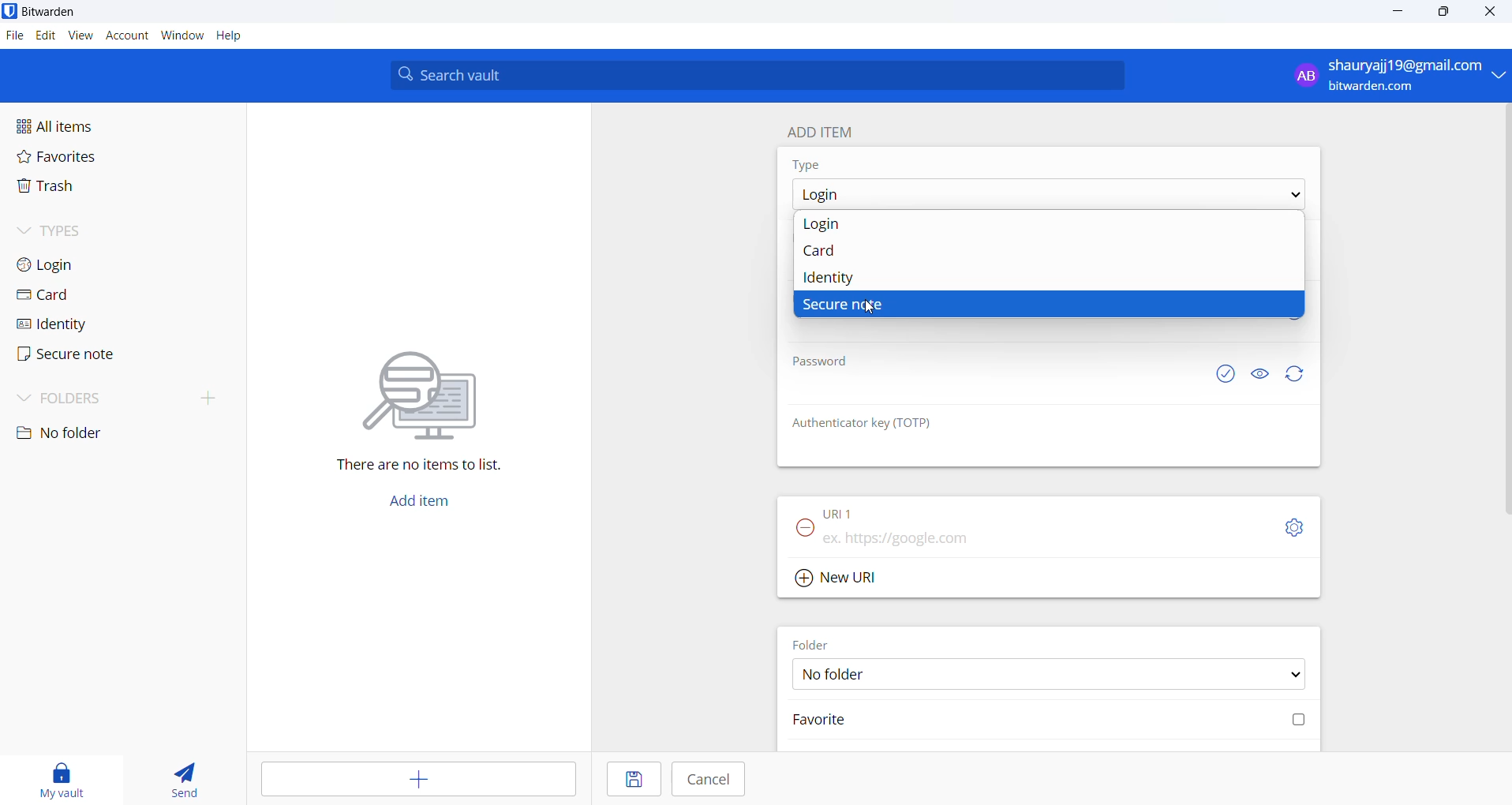 The width and height of the screenshot is (1512, 805). I want to click on login, so click(80, 263).